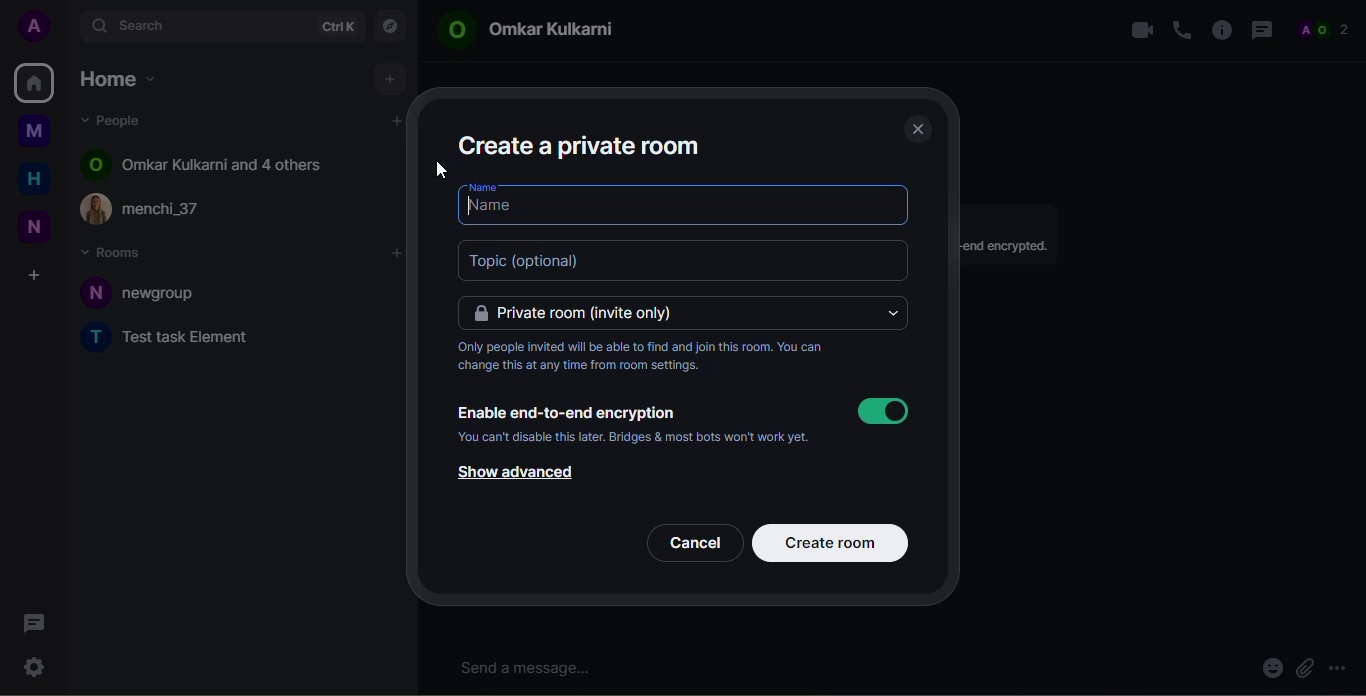 The height and width of the screenshot is (696, 1366). What do you see at coordinates (882, 411) in the screenshot?
I see `enabled` at bounding box center [882, 411].